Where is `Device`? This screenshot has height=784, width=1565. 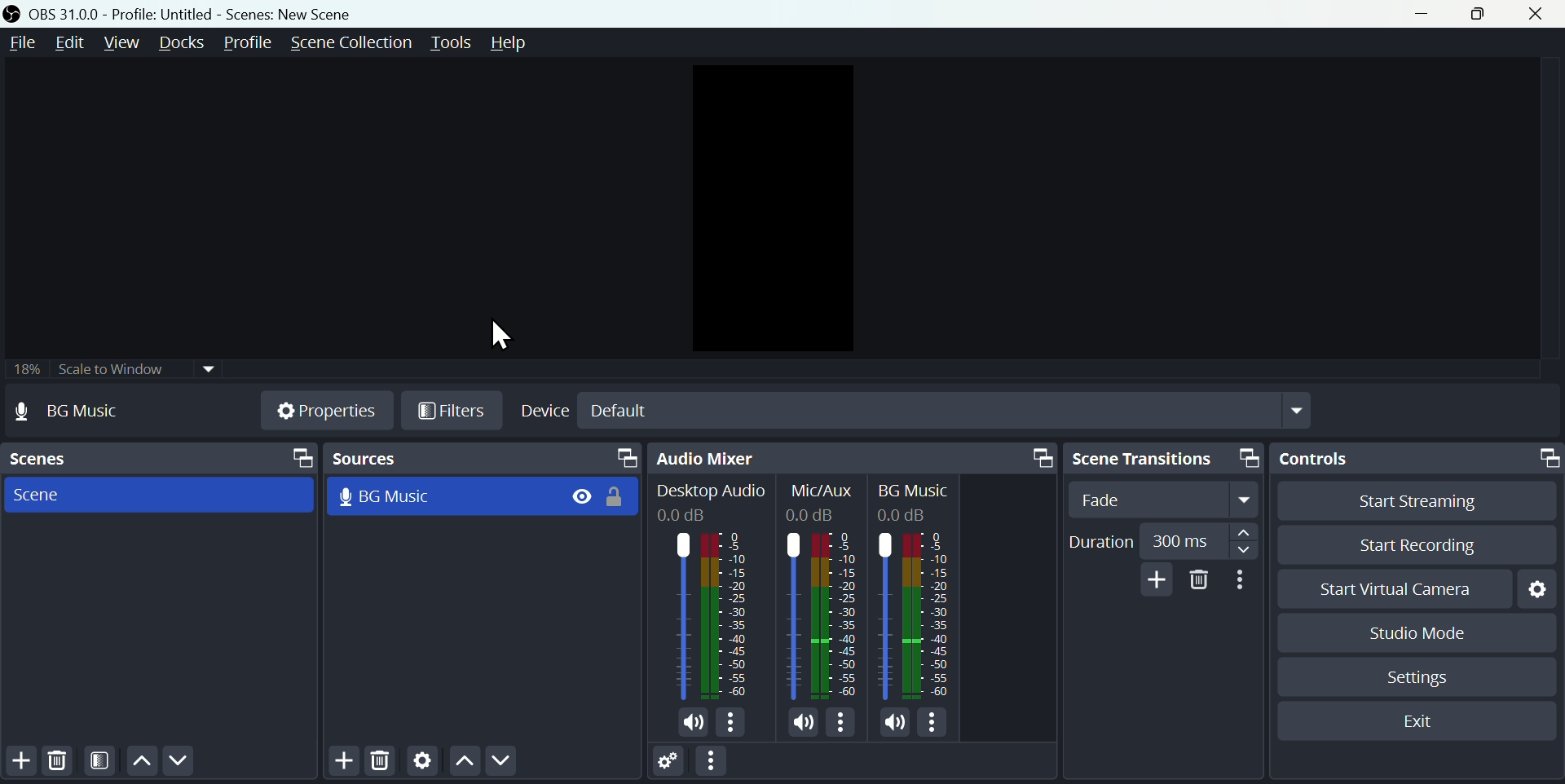
Device is located at coordinates (543, 412).